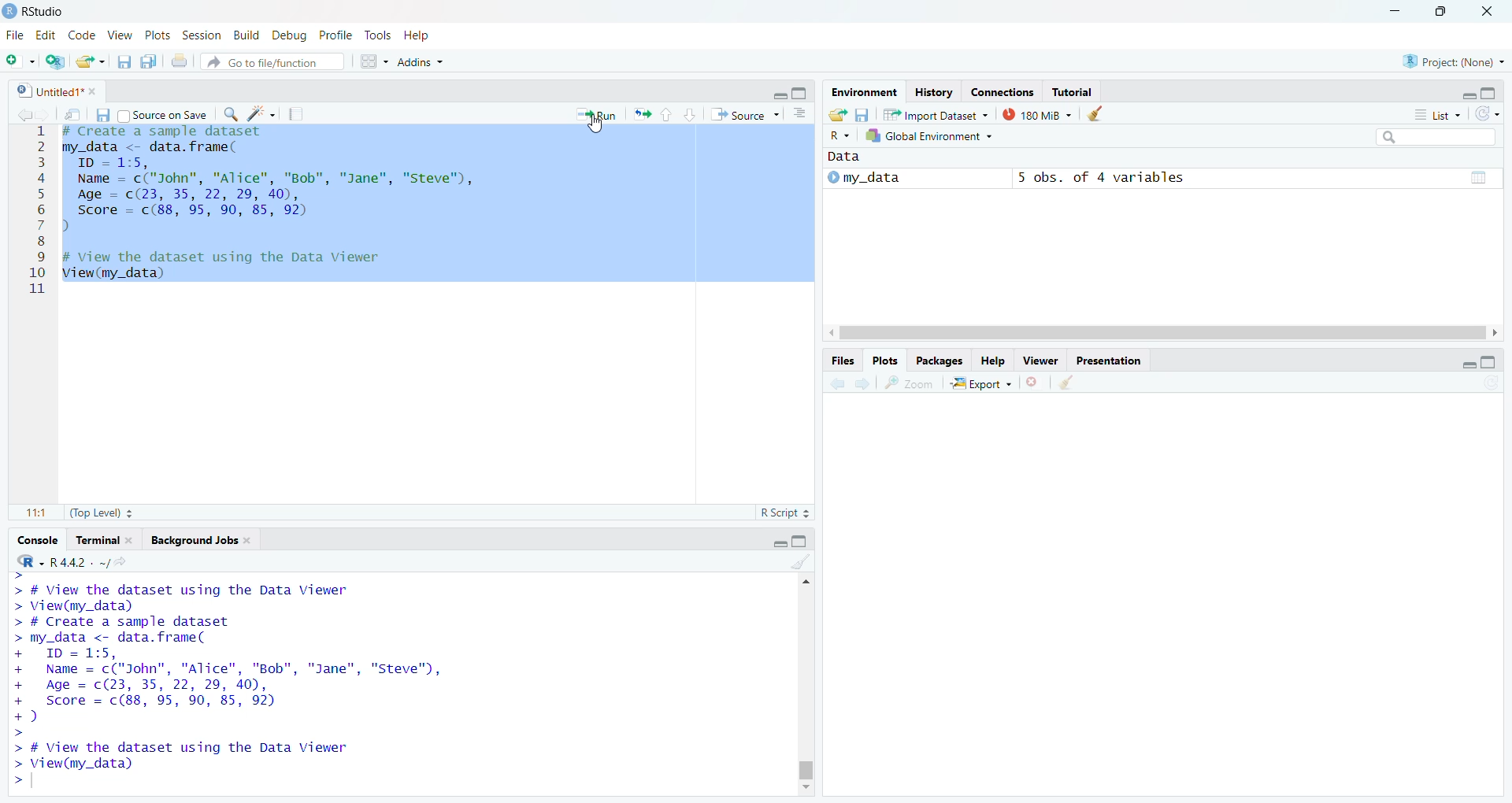 Image resolution: width=1512 pixels, height=803 pixels. I want to click on Save workspace as, so click(864, 115).